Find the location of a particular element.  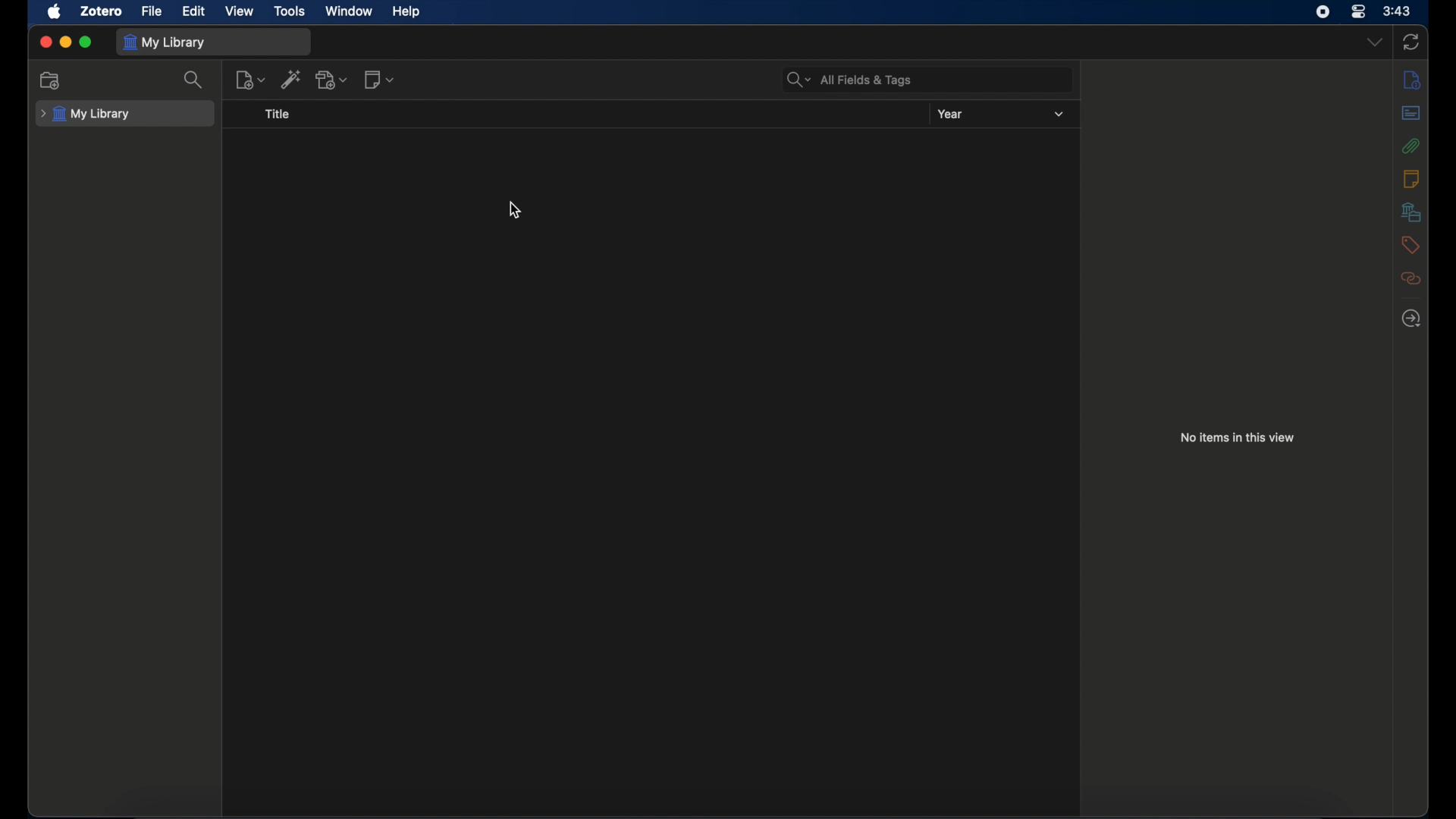

help is located at coordinates (406, 11).